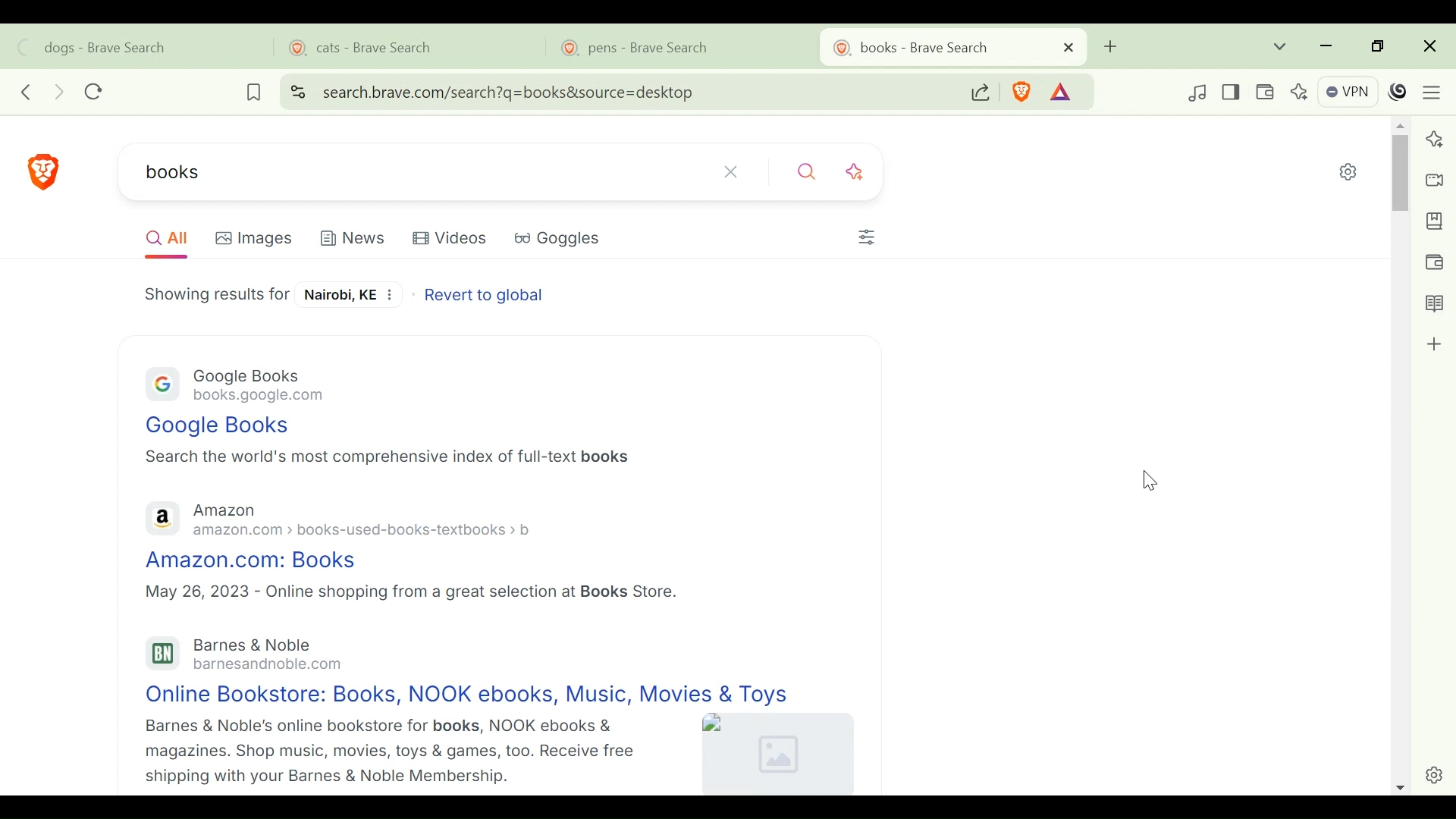 The image size is (1456, 819). I want to click on Google Books
Search the world's most comprehensive index of full-text books, so click(385, 442).